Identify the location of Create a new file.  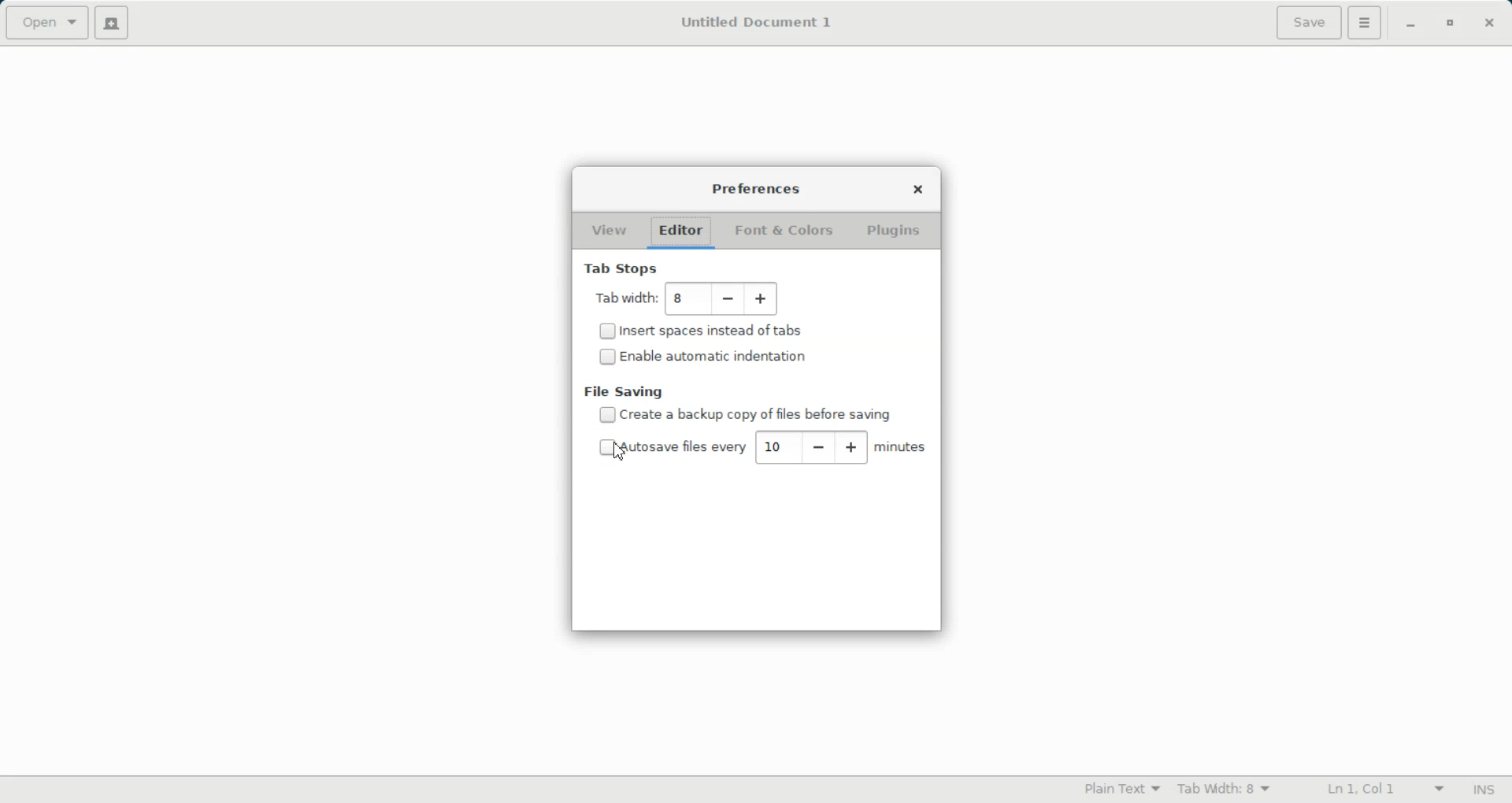
(111, 23).